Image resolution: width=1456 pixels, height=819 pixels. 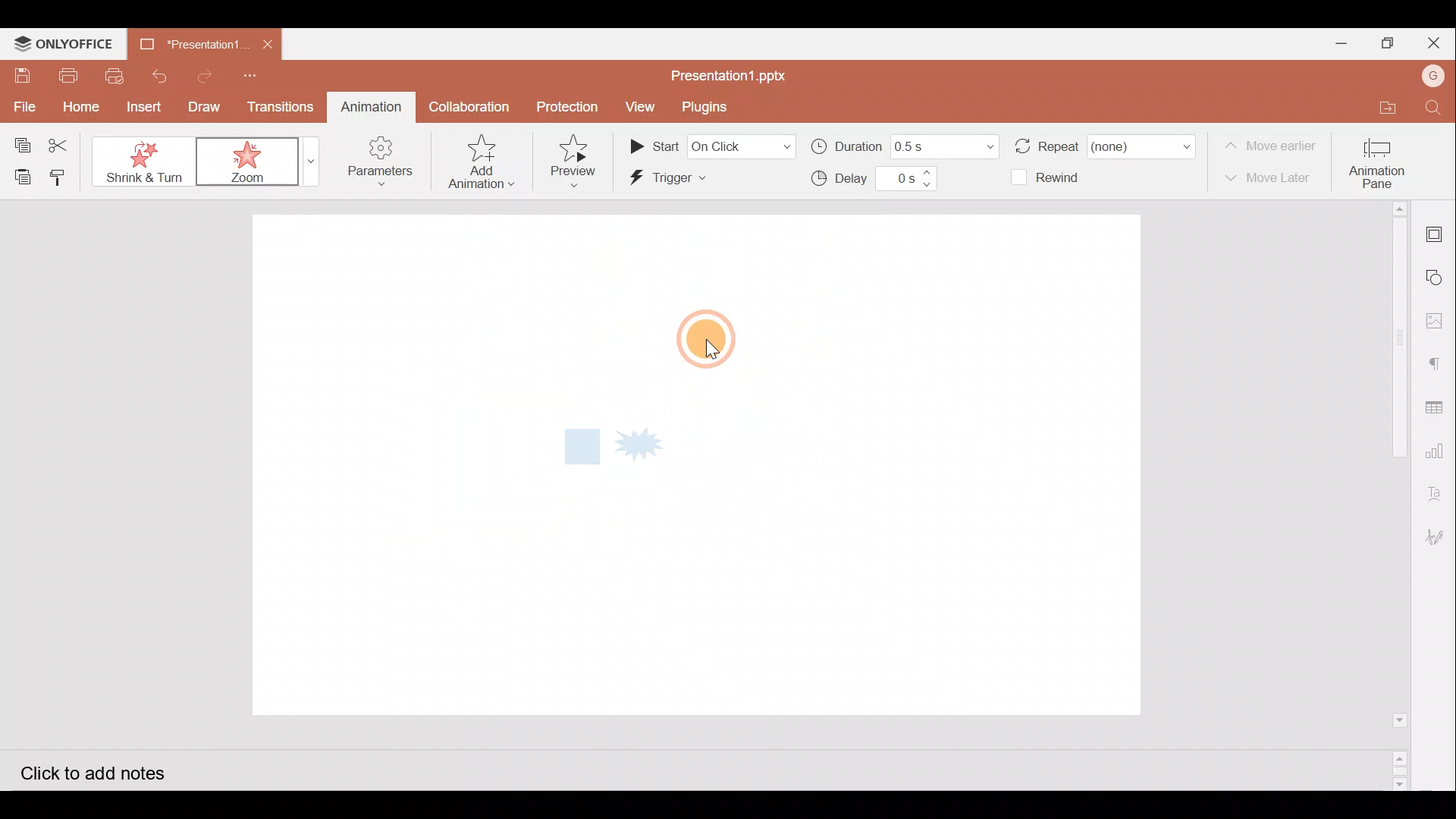 What do you see at coordinates (1438, 407) in the screenshot?
I see `Table settings` at bounding box center [1438, 407].